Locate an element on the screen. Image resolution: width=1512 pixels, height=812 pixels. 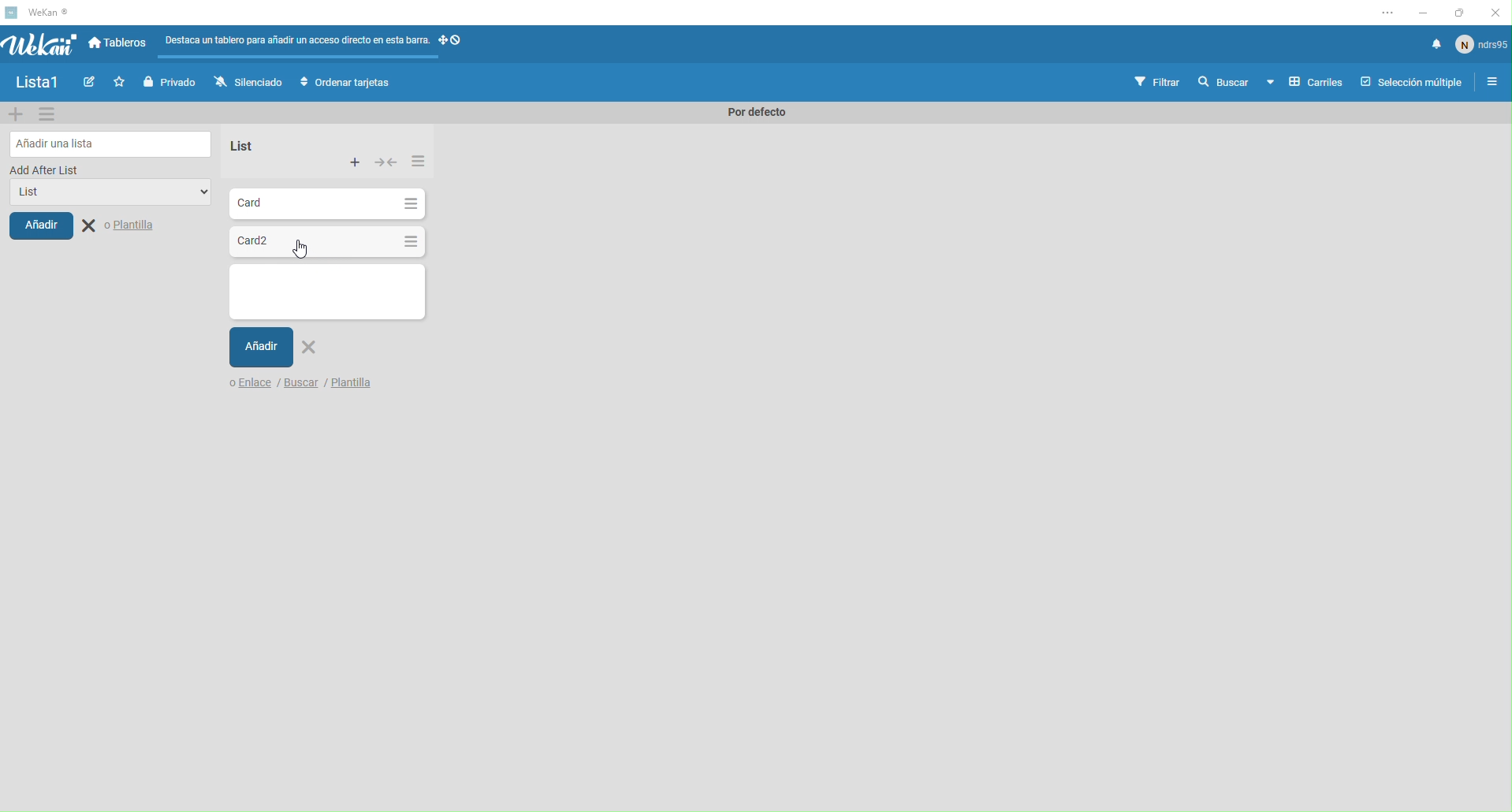
Cursor is located at coordinates (302, 247).